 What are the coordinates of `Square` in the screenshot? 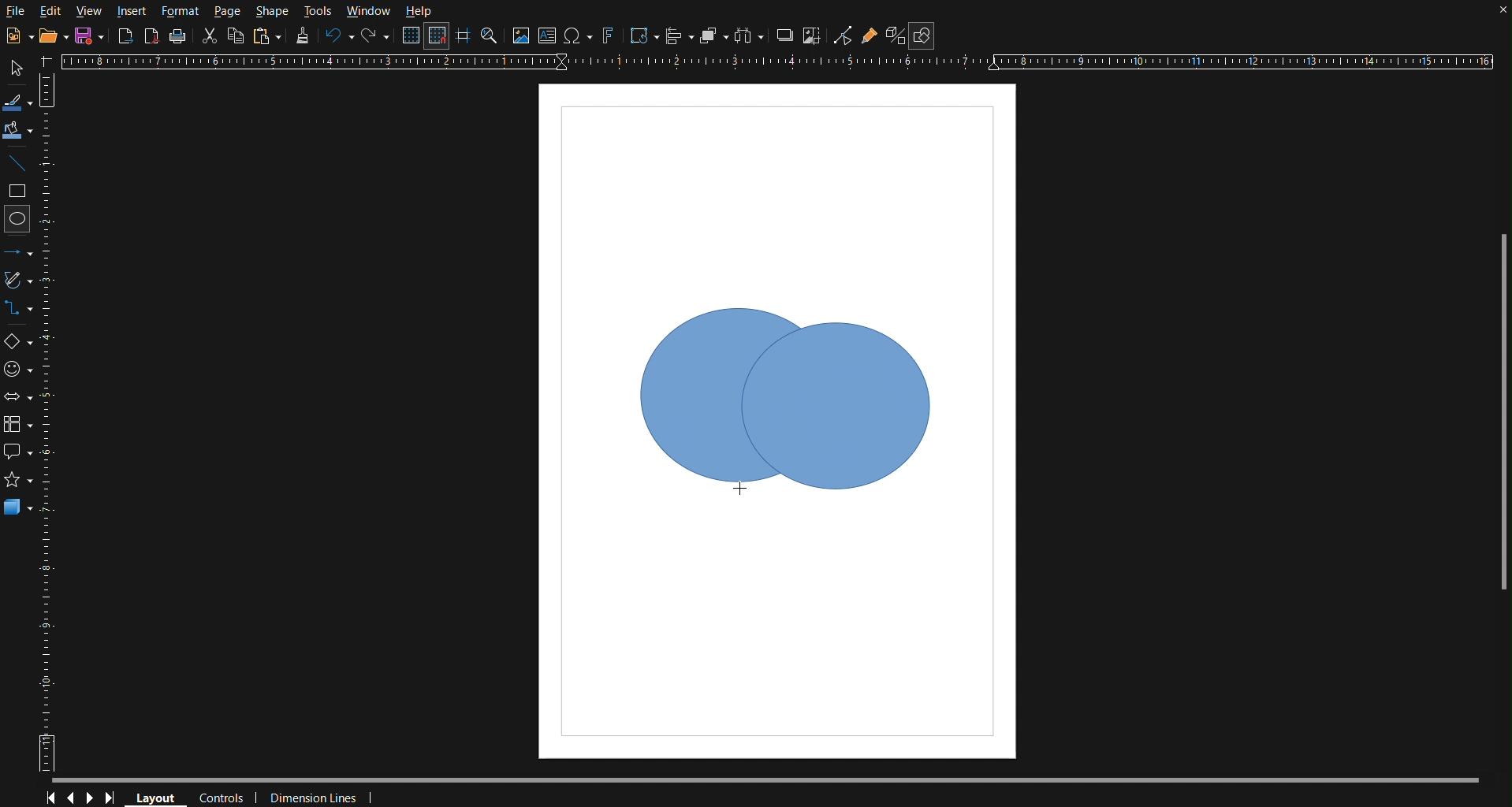 It's located at (19, 192).